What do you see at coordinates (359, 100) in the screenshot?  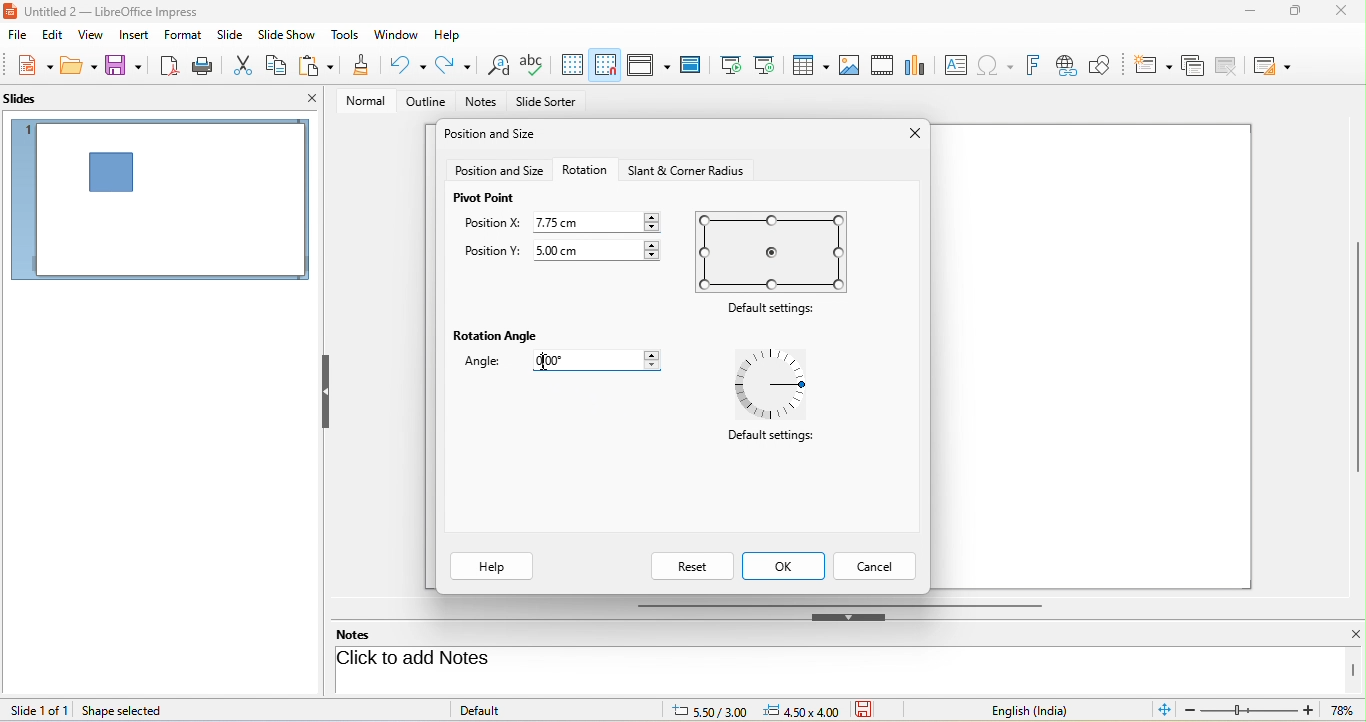 I see `normal` at bounding box center [359, 100].